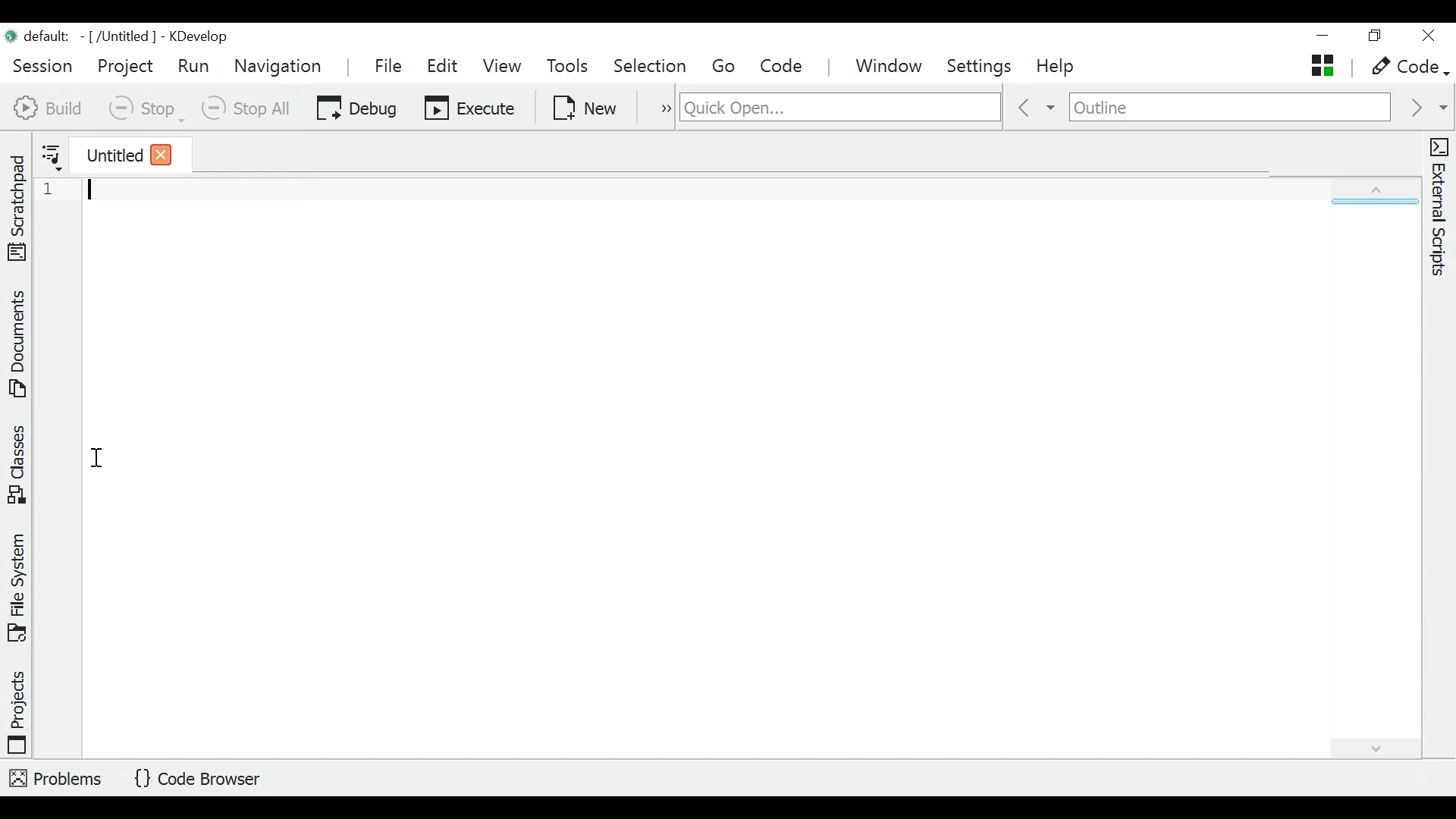 The width and height of the screenshot is (1456, 819). Describe the element at coordinates (15, 472) in the screenshot. I see `Classes` at that location.